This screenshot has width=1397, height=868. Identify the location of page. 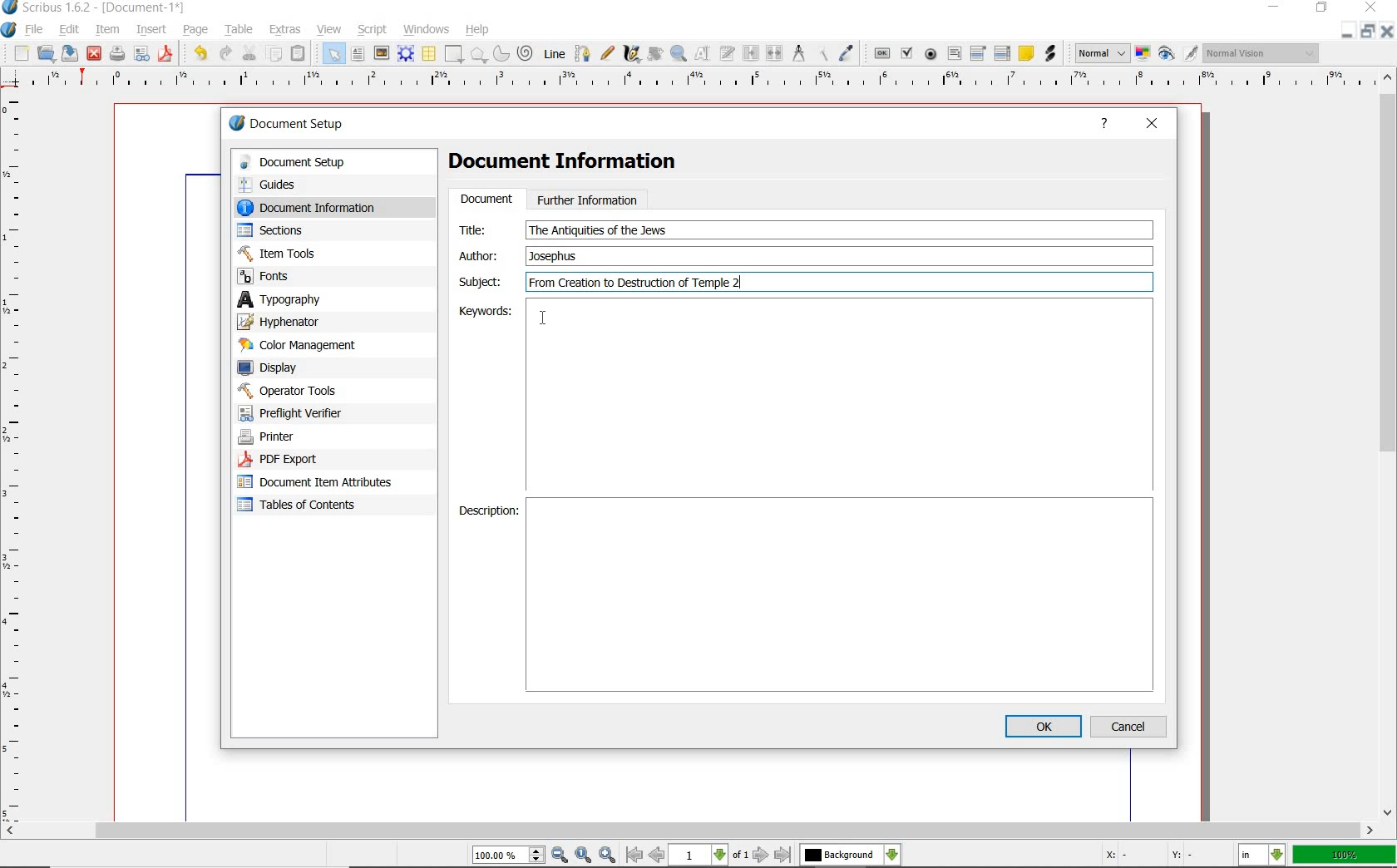
(199, 30).